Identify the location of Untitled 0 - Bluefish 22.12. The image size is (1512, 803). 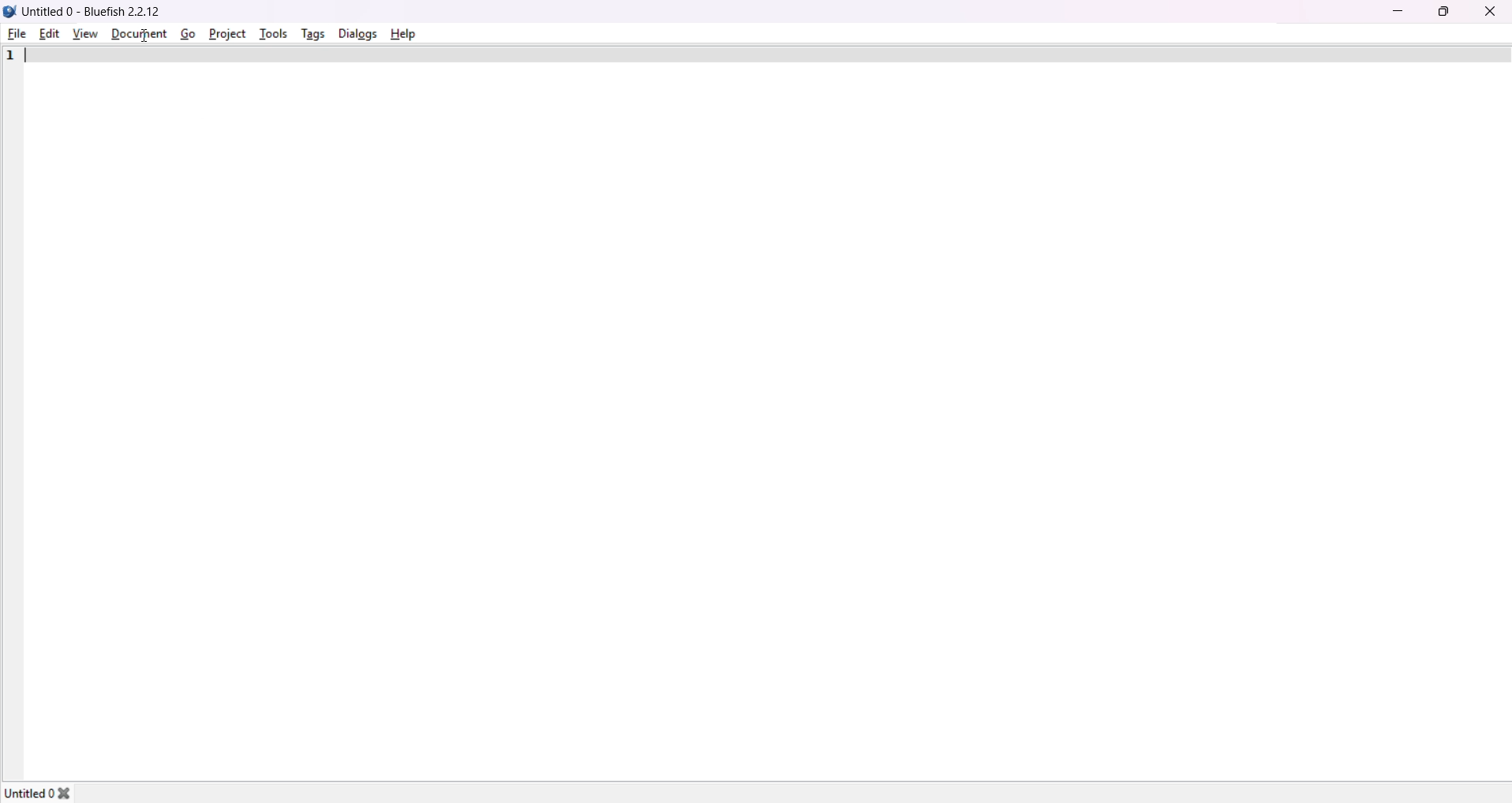
(95, 9).